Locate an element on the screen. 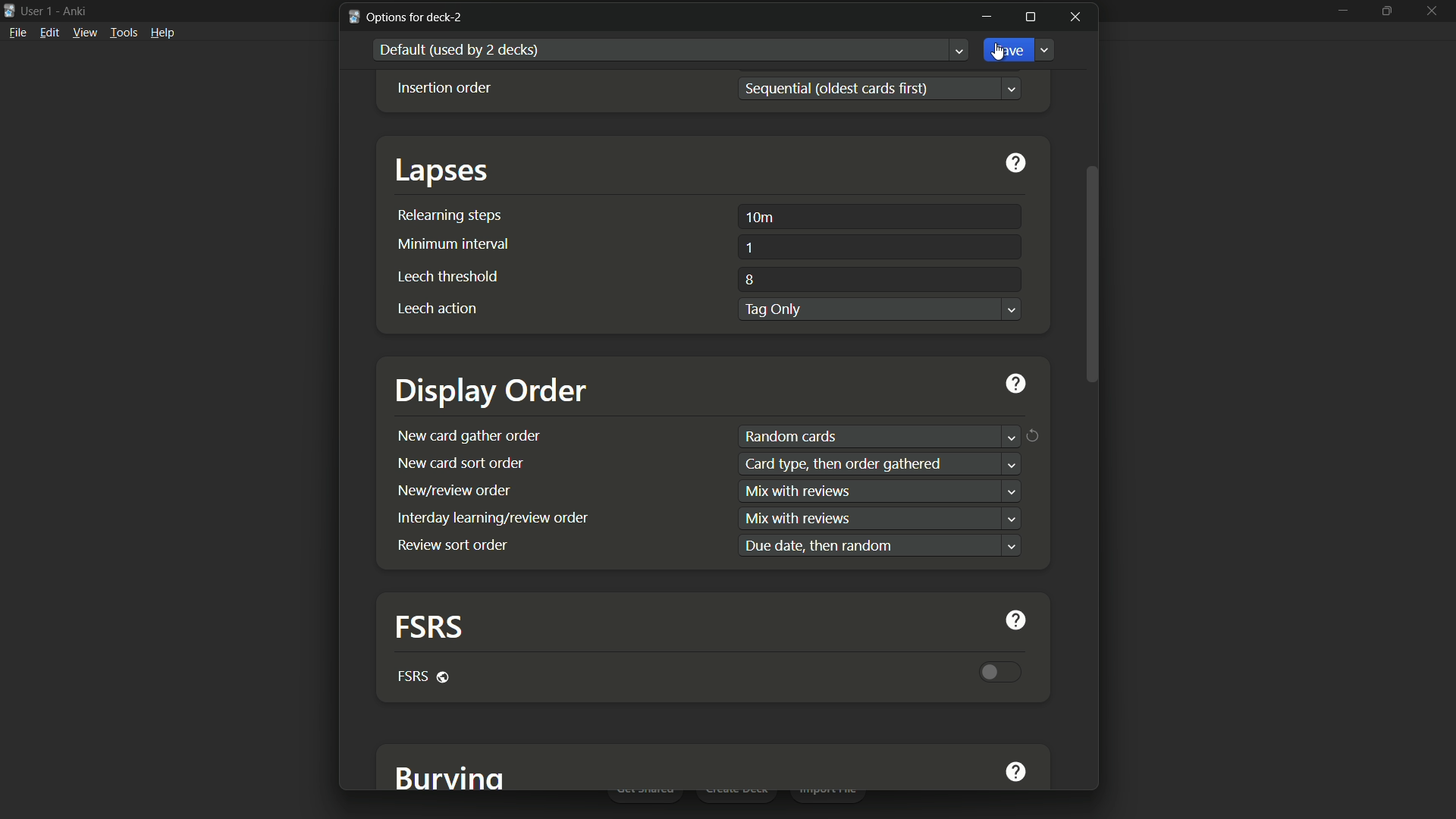 The width and height of the screenshot is (1456, 819). minimize is located at coordinates (1341, 10).